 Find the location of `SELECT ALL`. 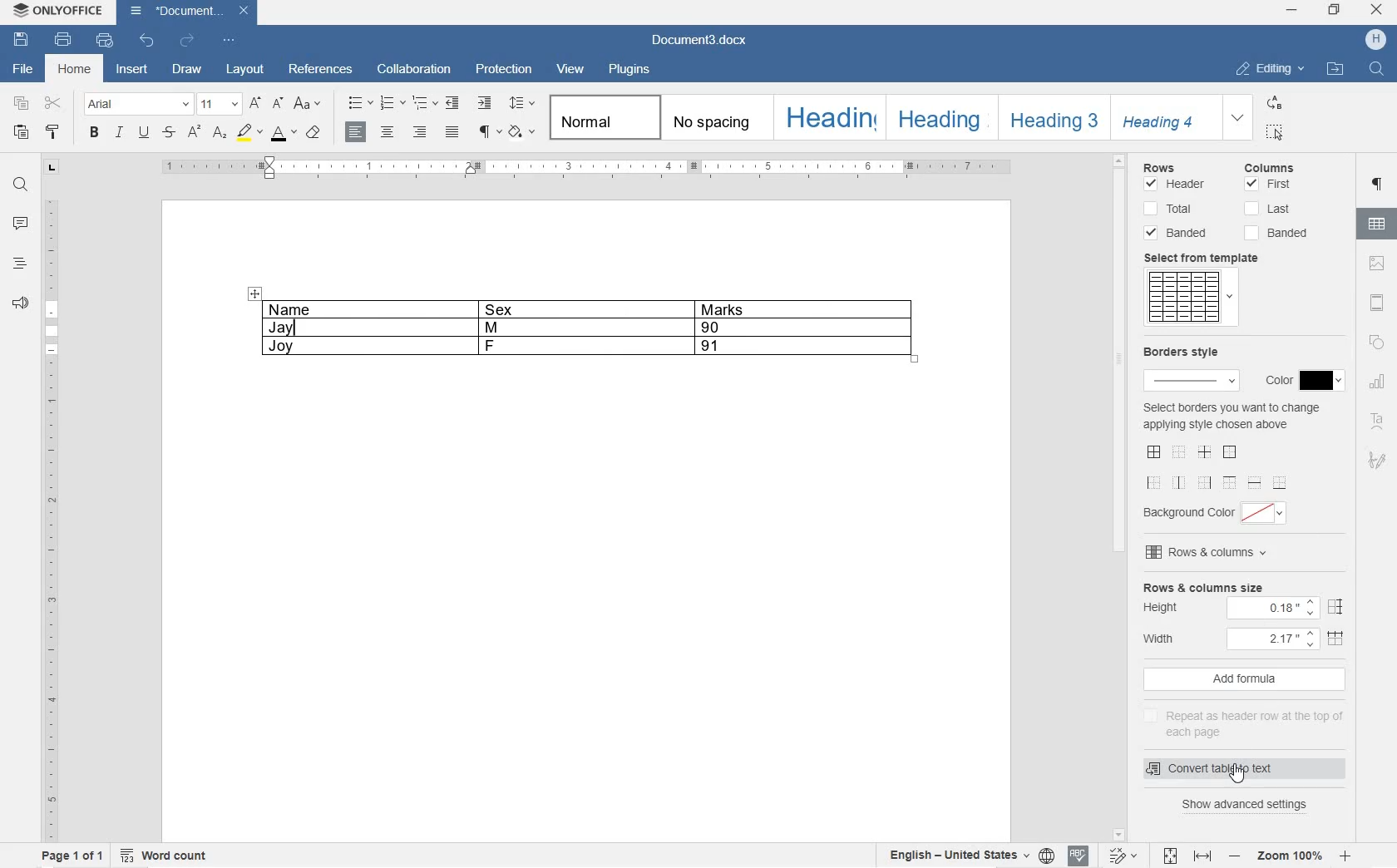

SELECT ALL is located at coordinates (1276, 132).